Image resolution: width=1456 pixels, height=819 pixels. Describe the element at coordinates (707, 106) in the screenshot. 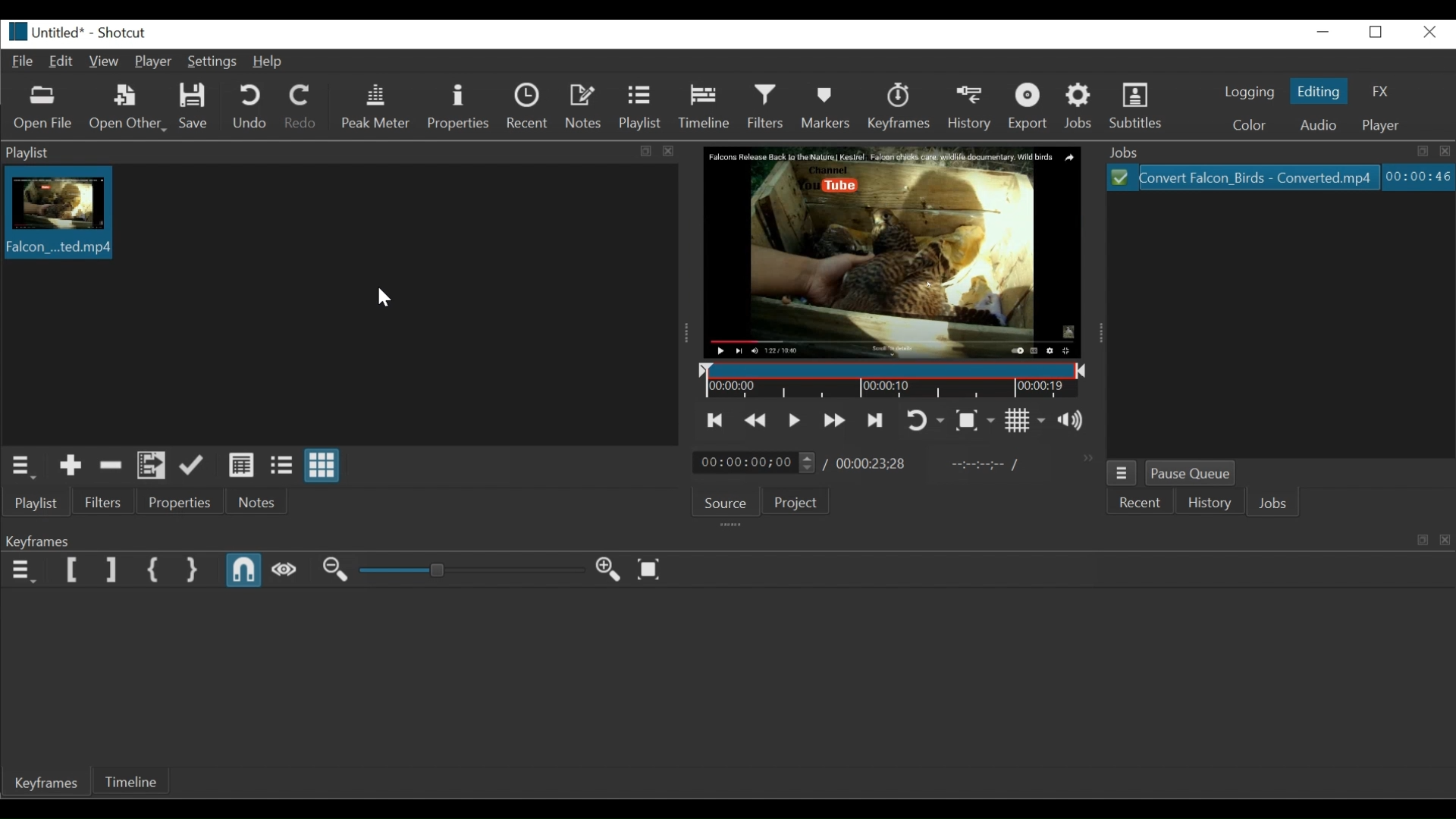

I see `Timeline` at that location.